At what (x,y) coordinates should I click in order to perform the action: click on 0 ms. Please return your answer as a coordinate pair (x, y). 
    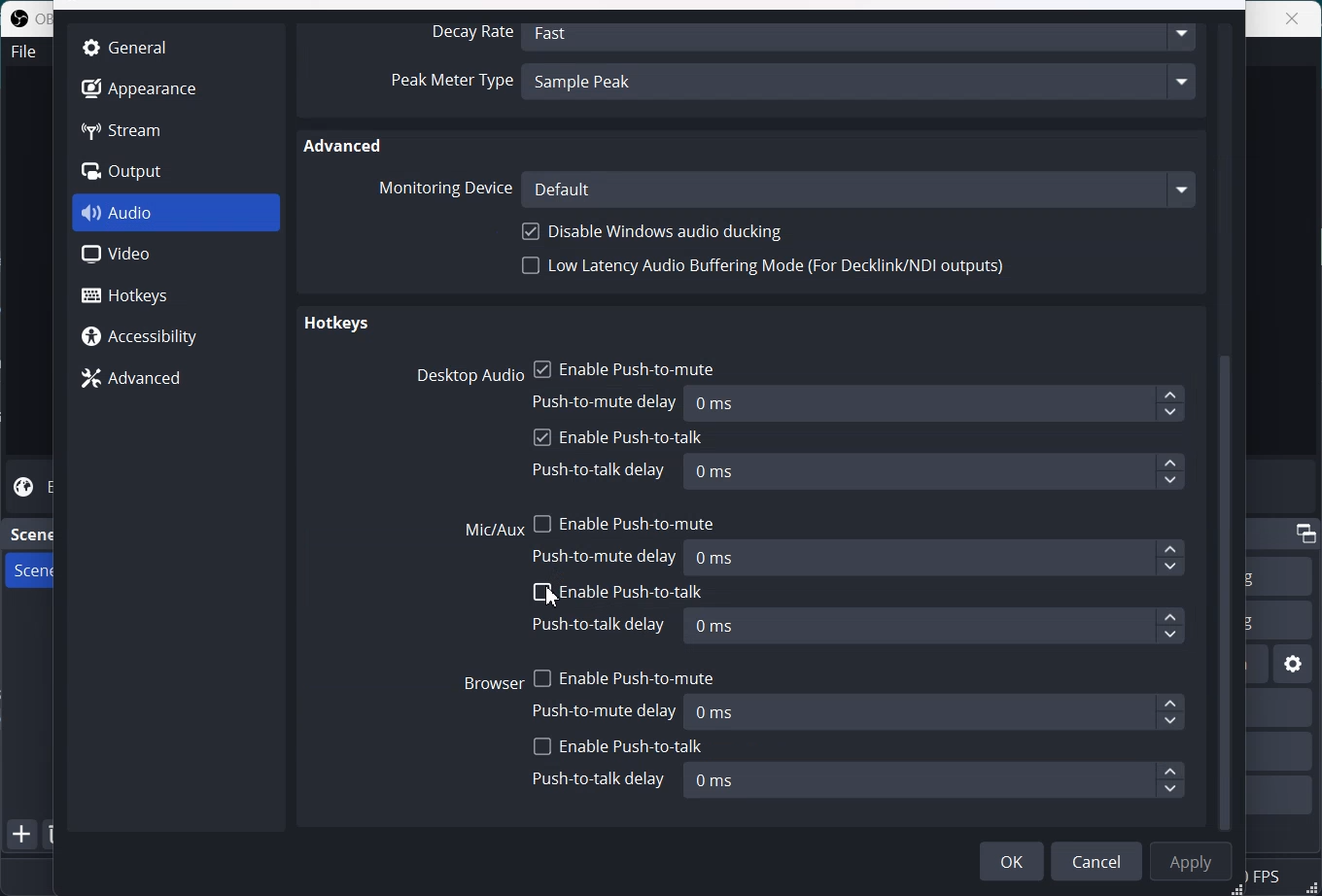
    Looking at the image, I should click on (939, 711).